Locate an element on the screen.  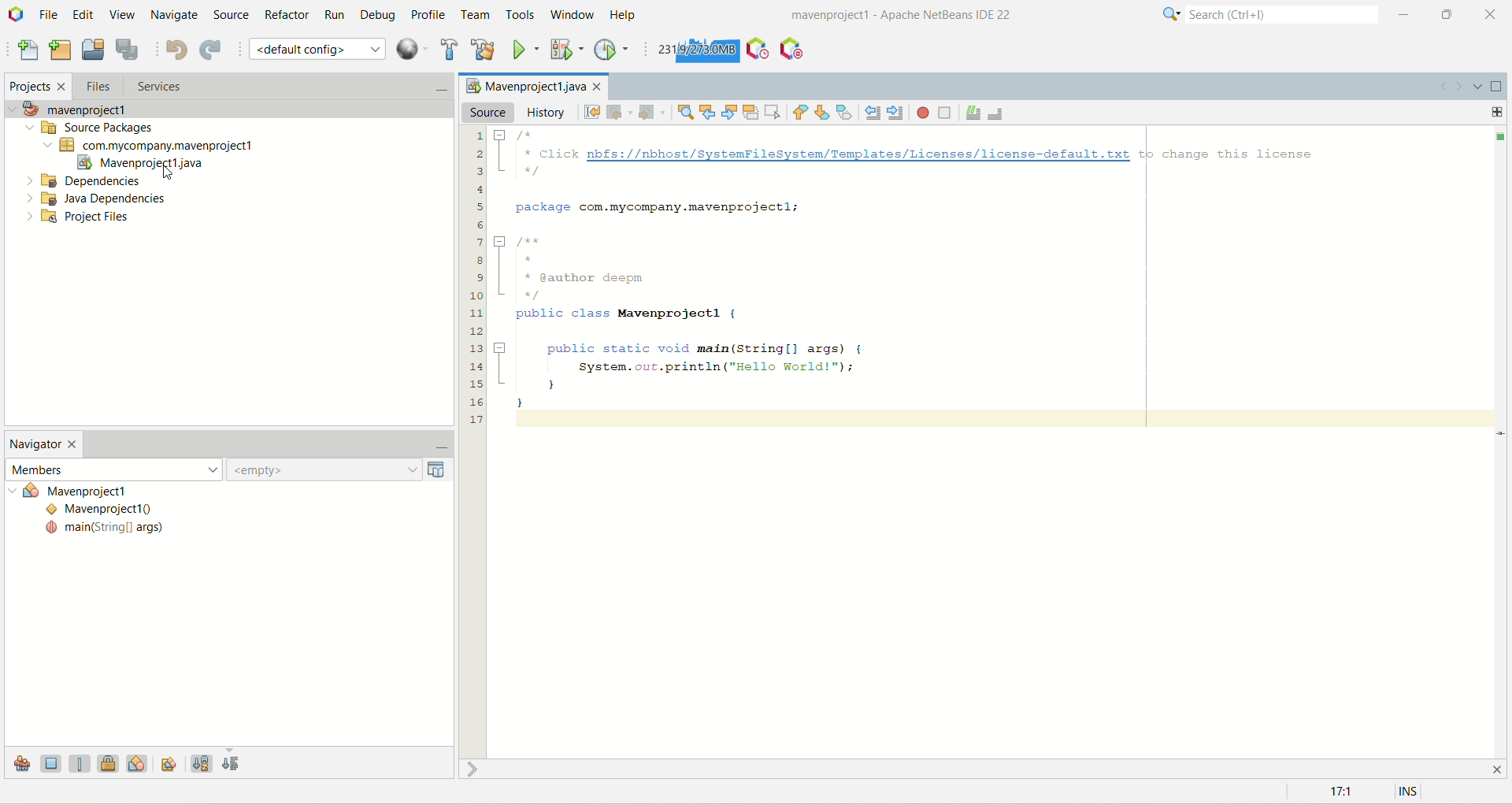
close is located at coordinates (1501, 768).